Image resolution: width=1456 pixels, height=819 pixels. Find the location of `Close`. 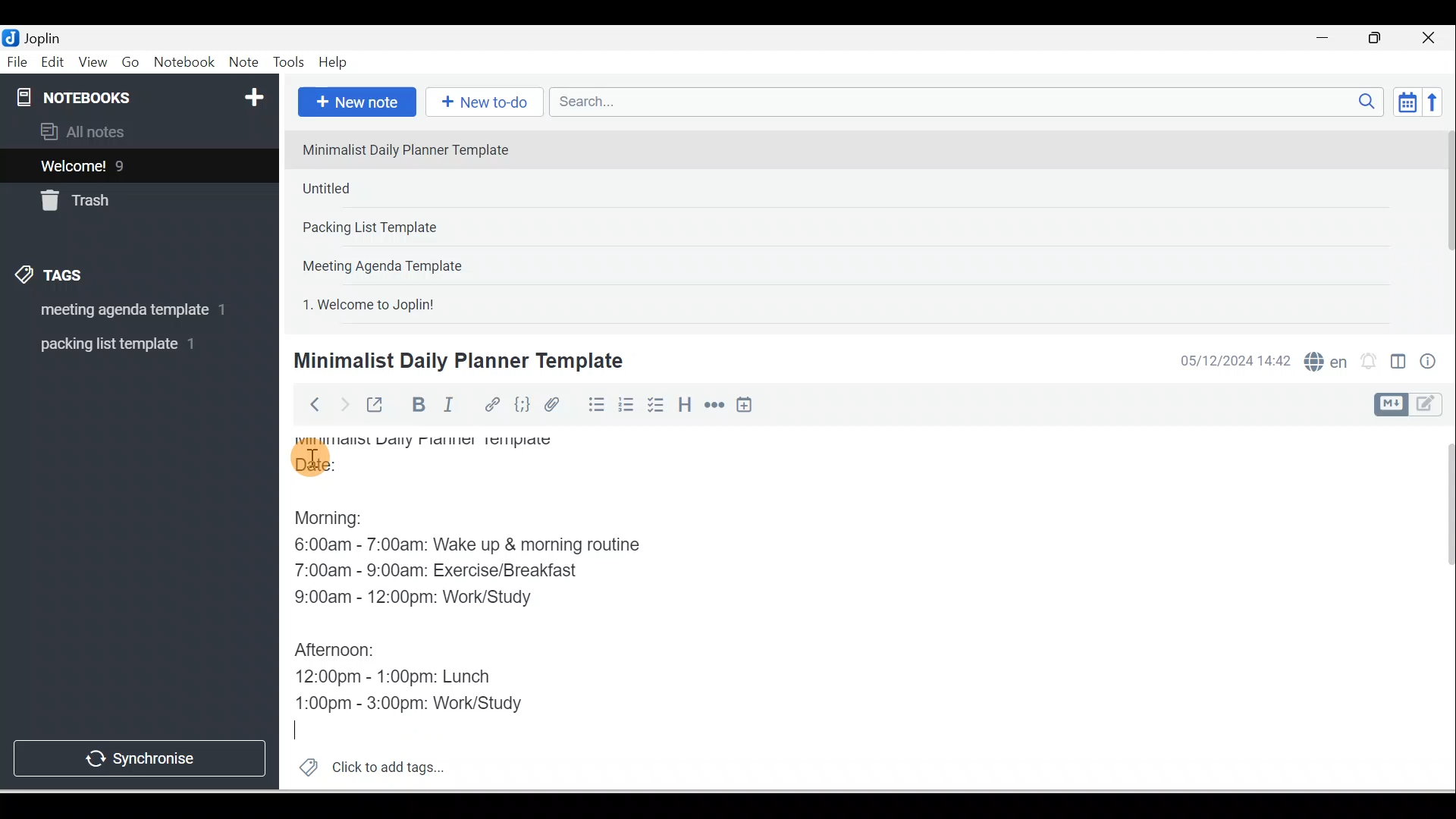

Close is located at coordinates (1432, 38).